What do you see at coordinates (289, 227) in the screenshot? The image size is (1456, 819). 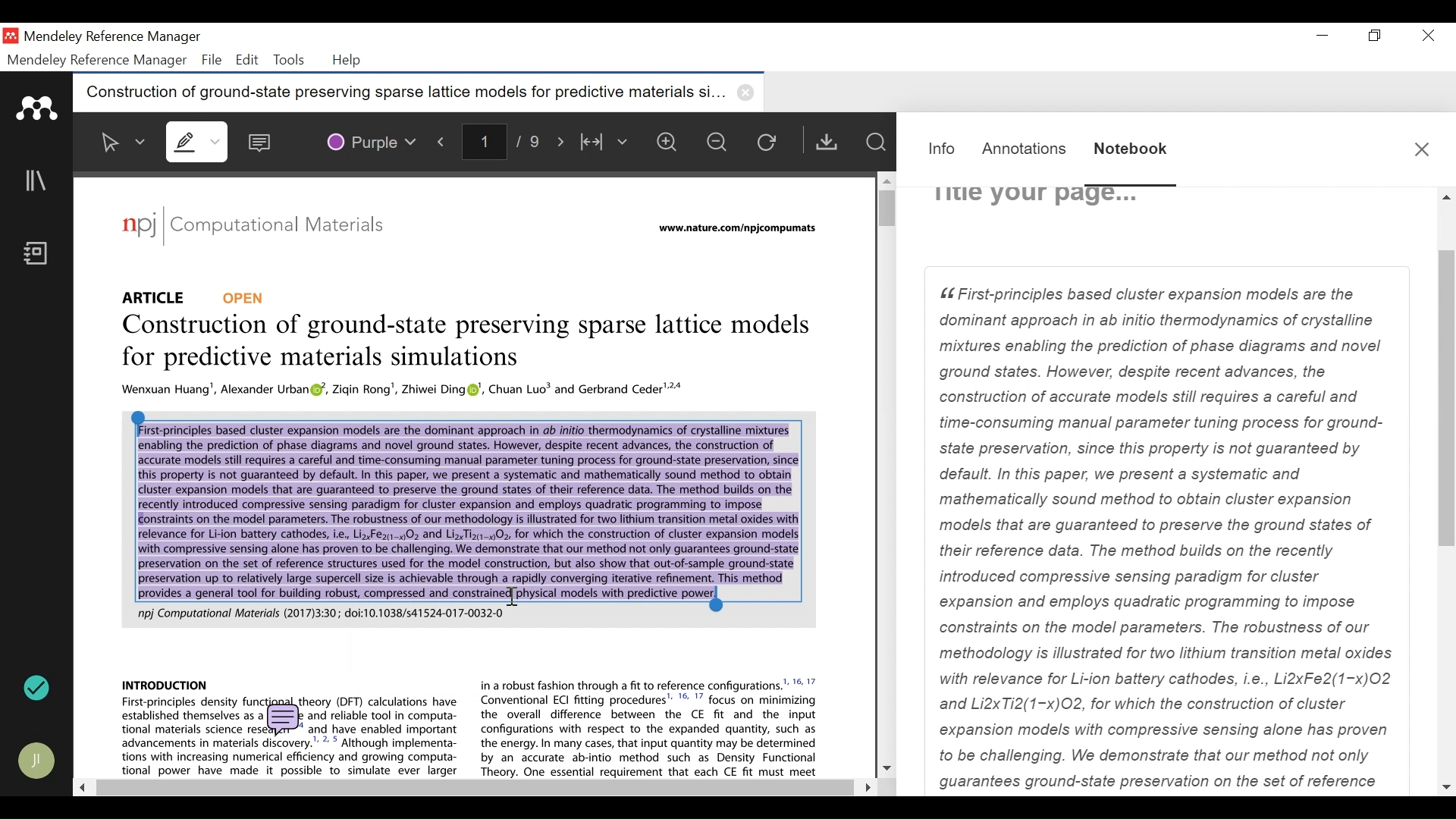 I see `Journal` at bounding box center [289, 227].